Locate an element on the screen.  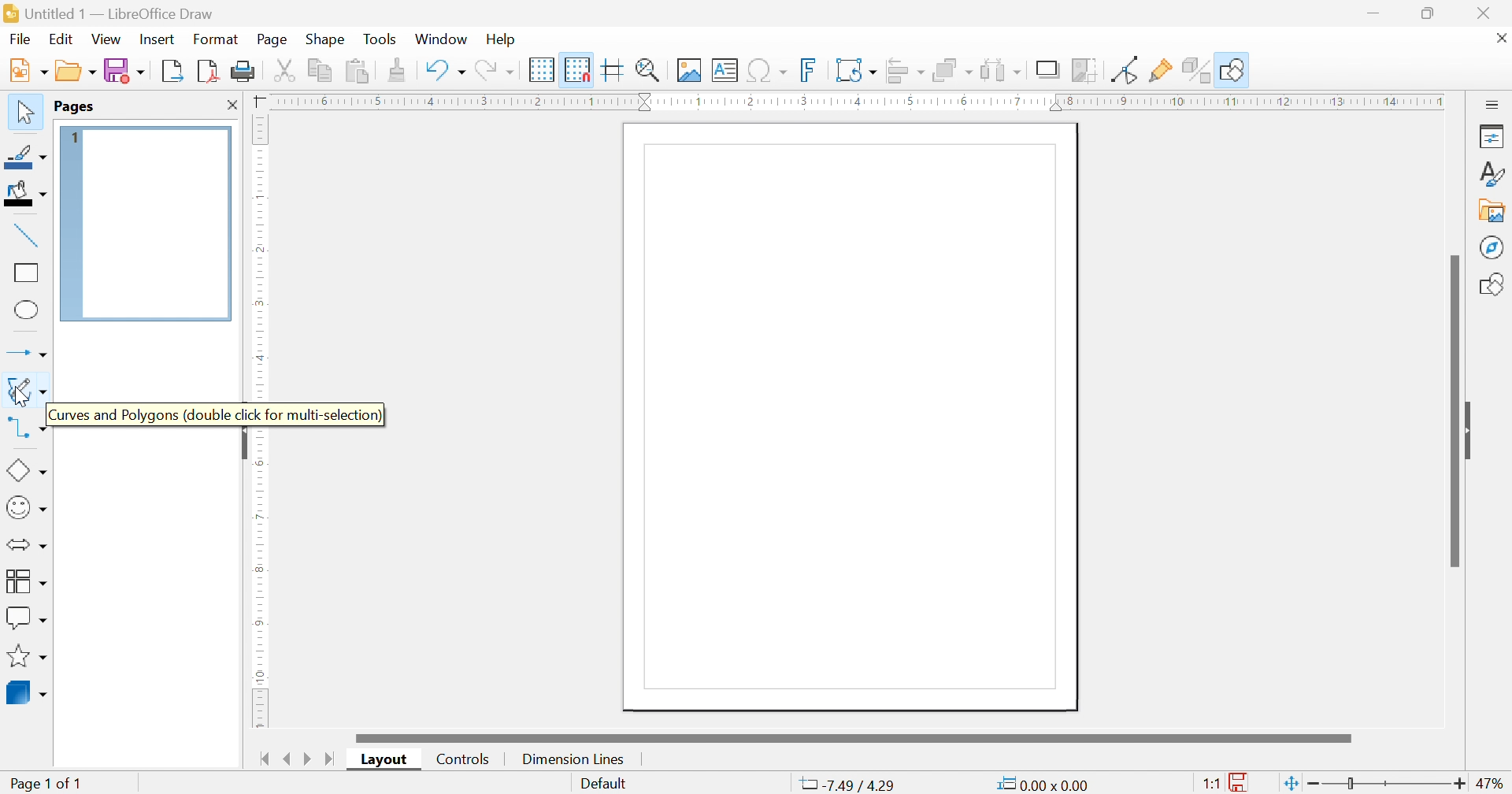
gallery is located at coordinates (1492, 211).